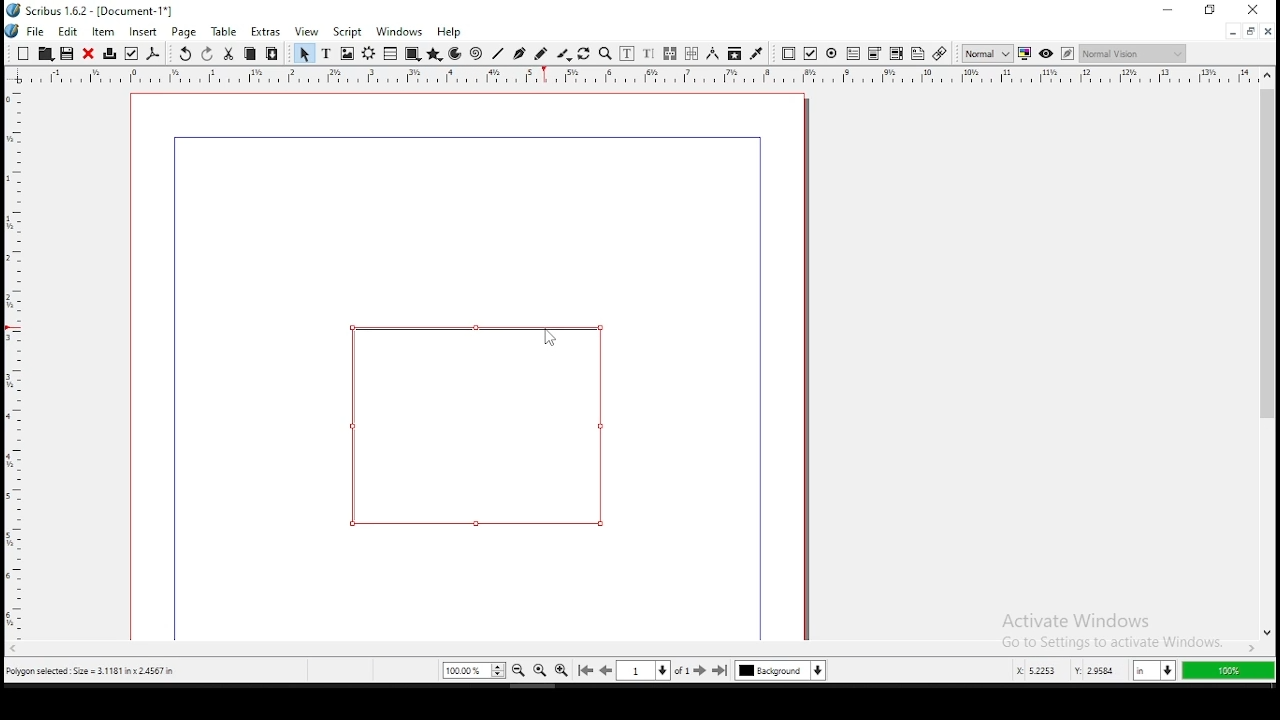  What do you see at coordinates (91, 11) in the screenshot?
I see `icon and file name` at bounding box center [91, 11].